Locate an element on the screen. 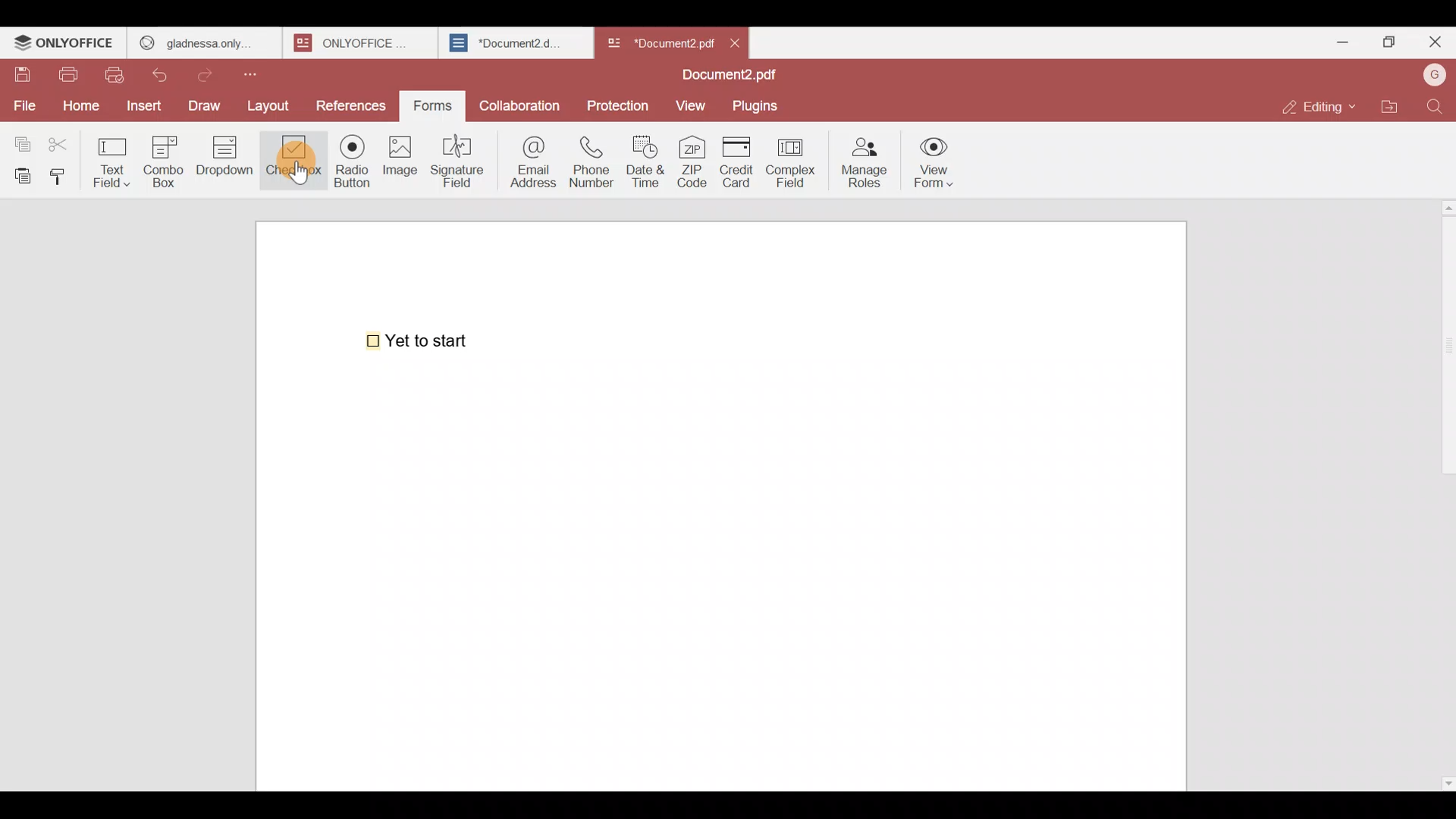 The image size is (1456, 819). gladness only is located at coordinates (203, 39).